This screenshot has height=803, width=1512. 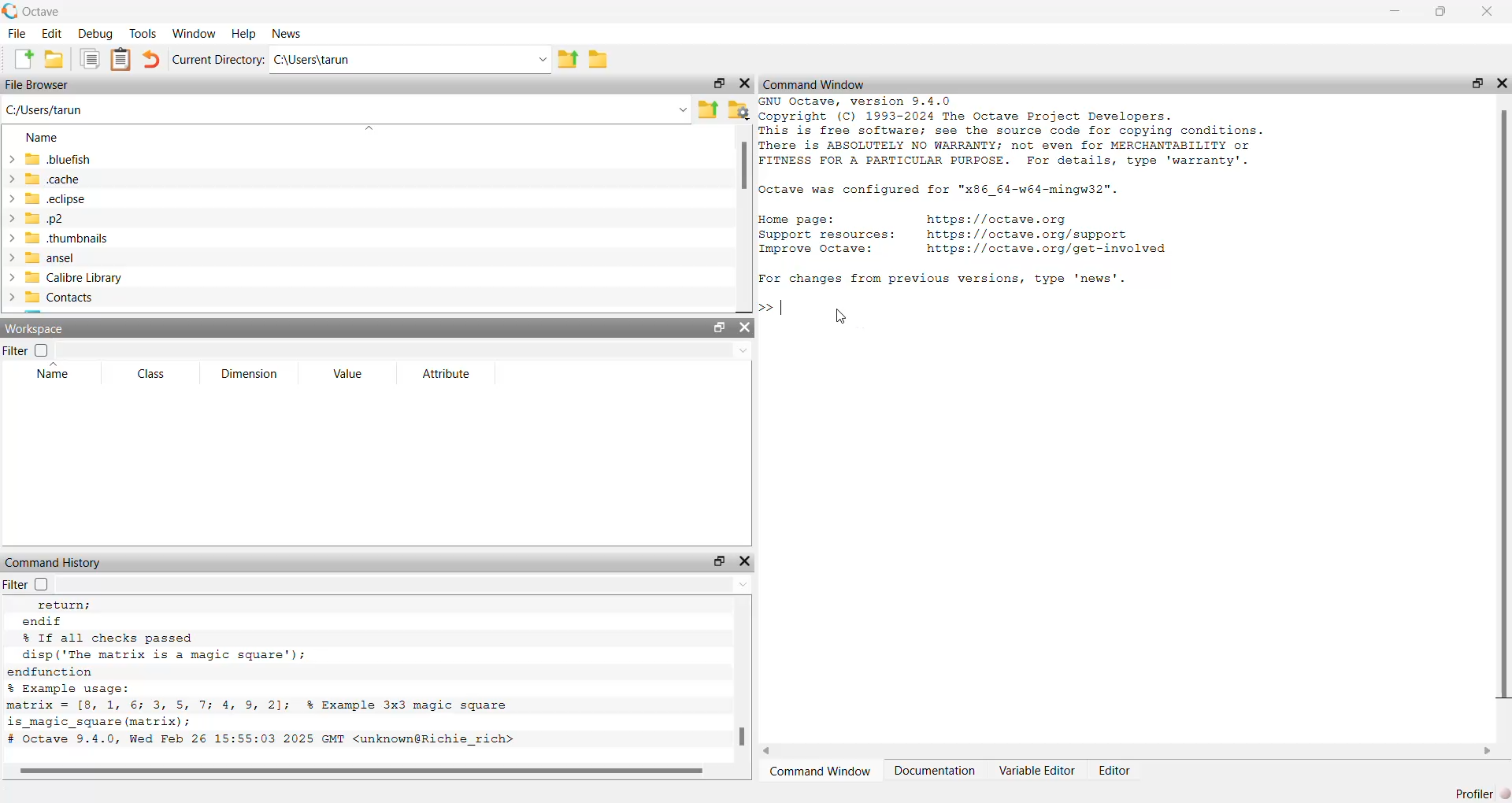 I want to click on Tools, so click(x=144, y=33).